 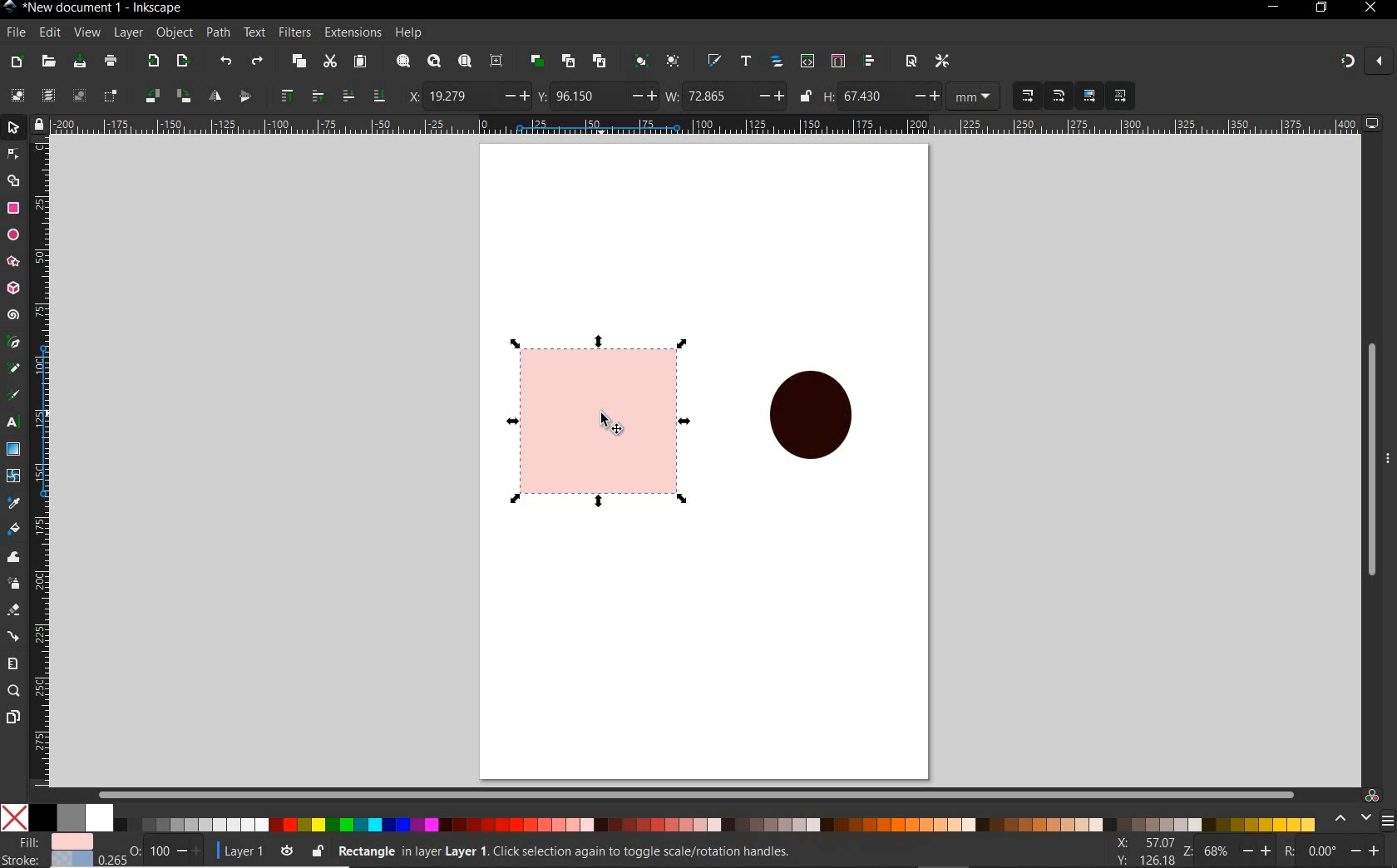 I want to click on select all in all layers, so click(x=45, y=94).